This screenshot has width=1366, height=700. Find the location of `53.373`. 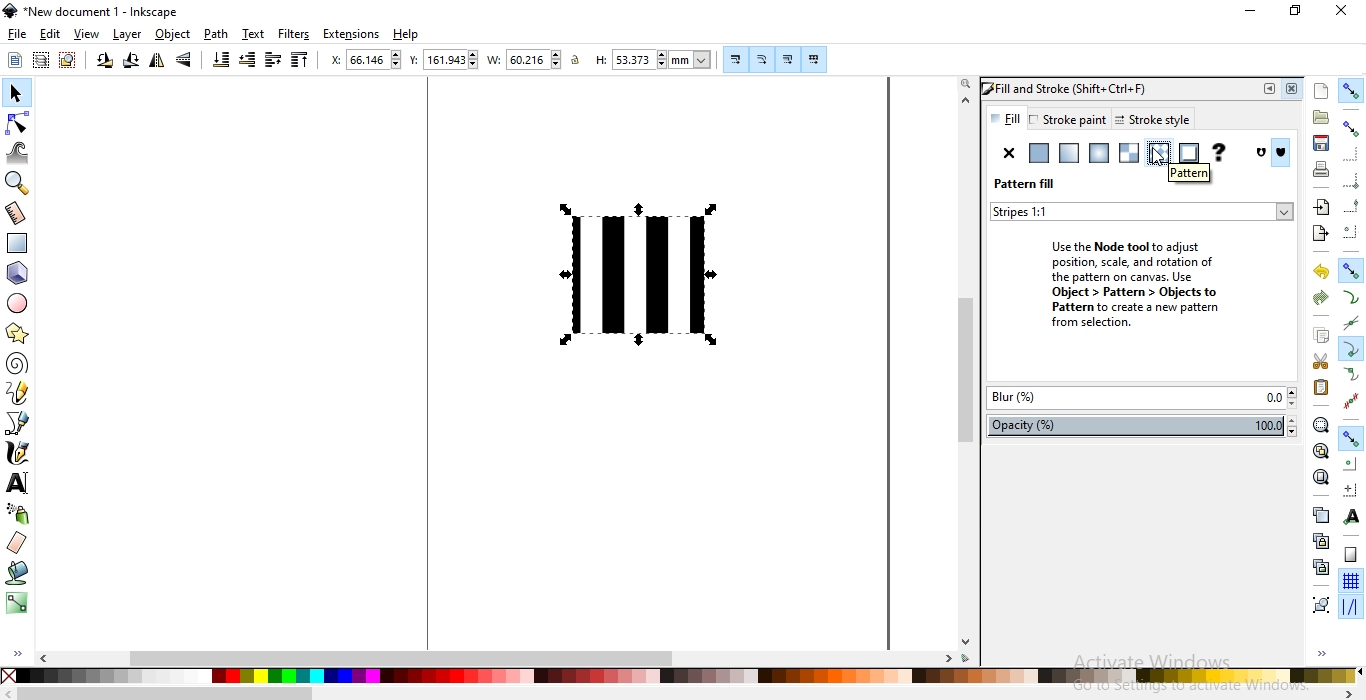

53.373 is located at coordinates (636, 60).